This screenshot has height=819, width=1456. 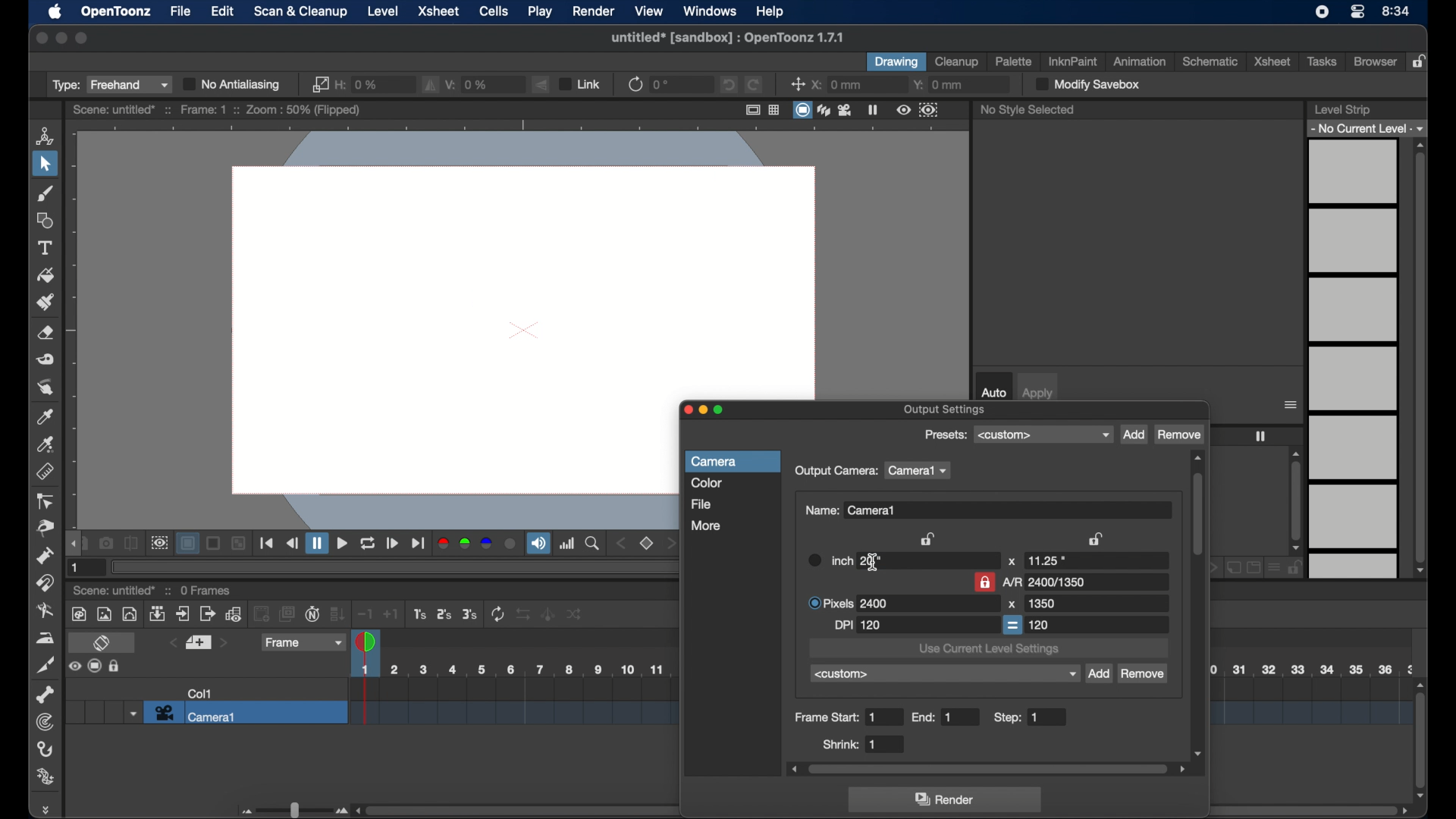 What do you see at coordinates (131, 713) in the screenshot?
I see `dropdown` at bounding box center [131, 713].